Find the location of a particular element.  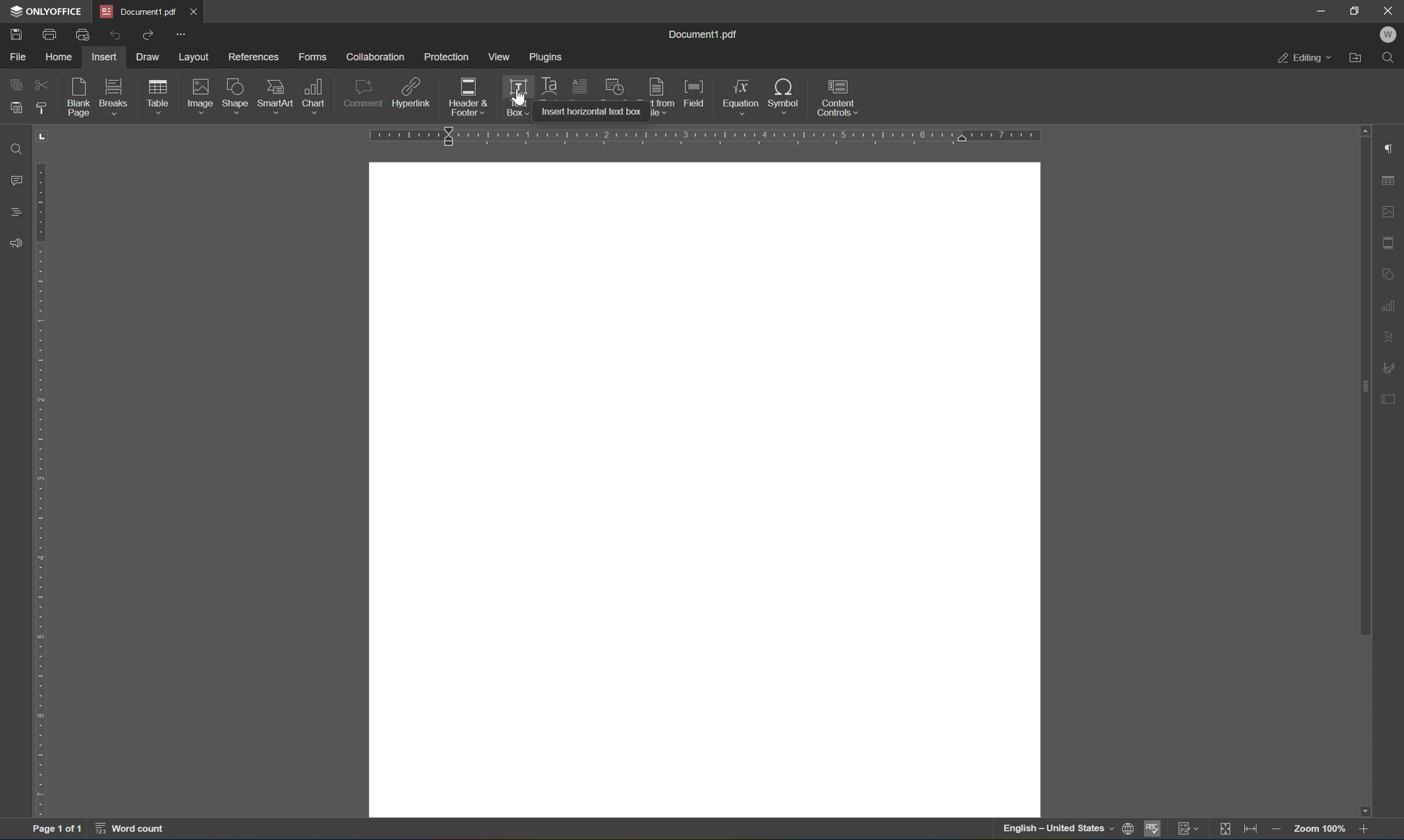

layout is located at coordinates (195, 58).